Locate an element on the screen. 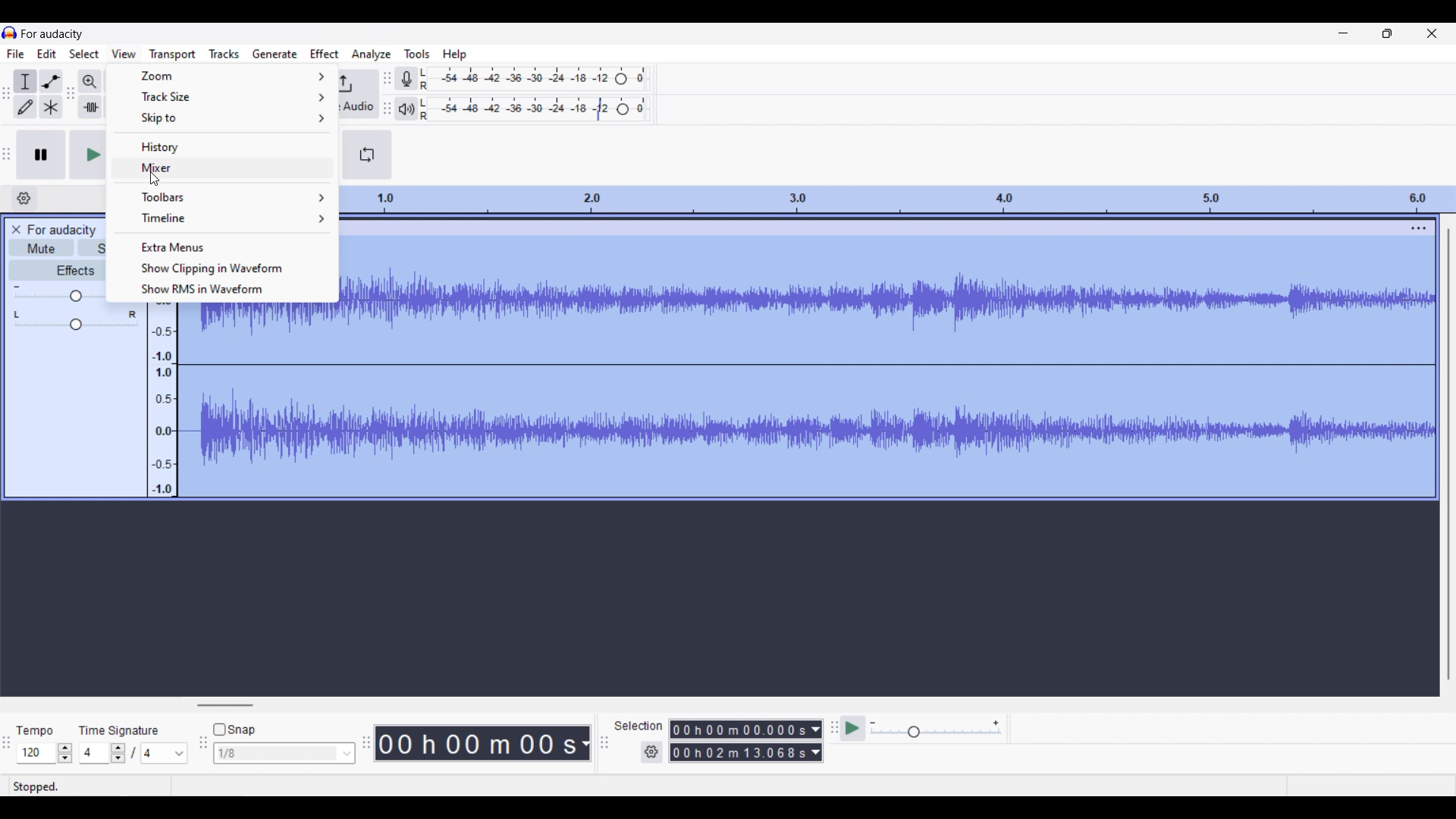 The image size is (1456, 819). Solo is located at coordinates (92, 248).